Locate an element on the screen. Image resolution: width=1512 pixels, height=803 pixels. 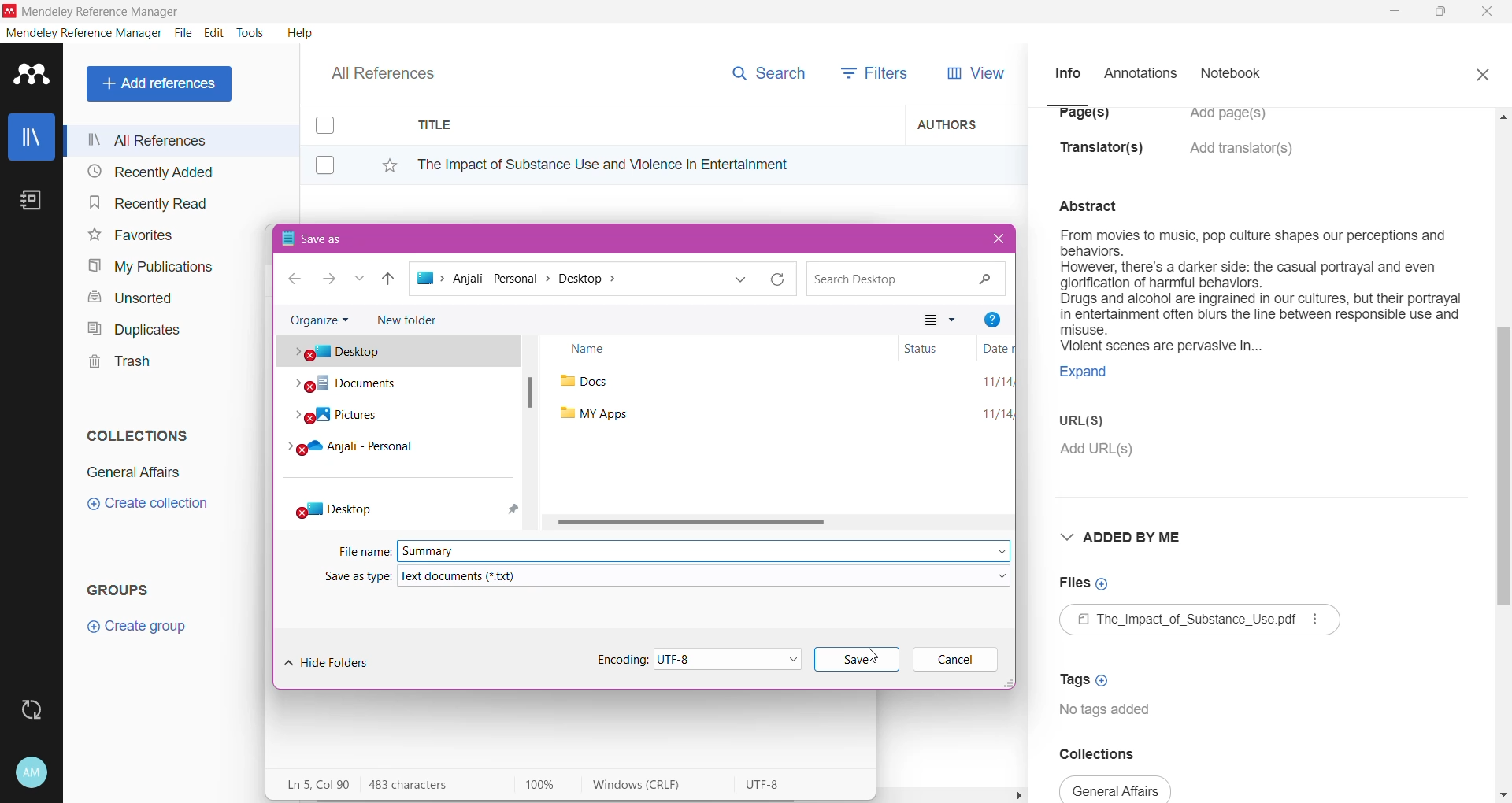
Close is located at coordinates (995, 239).